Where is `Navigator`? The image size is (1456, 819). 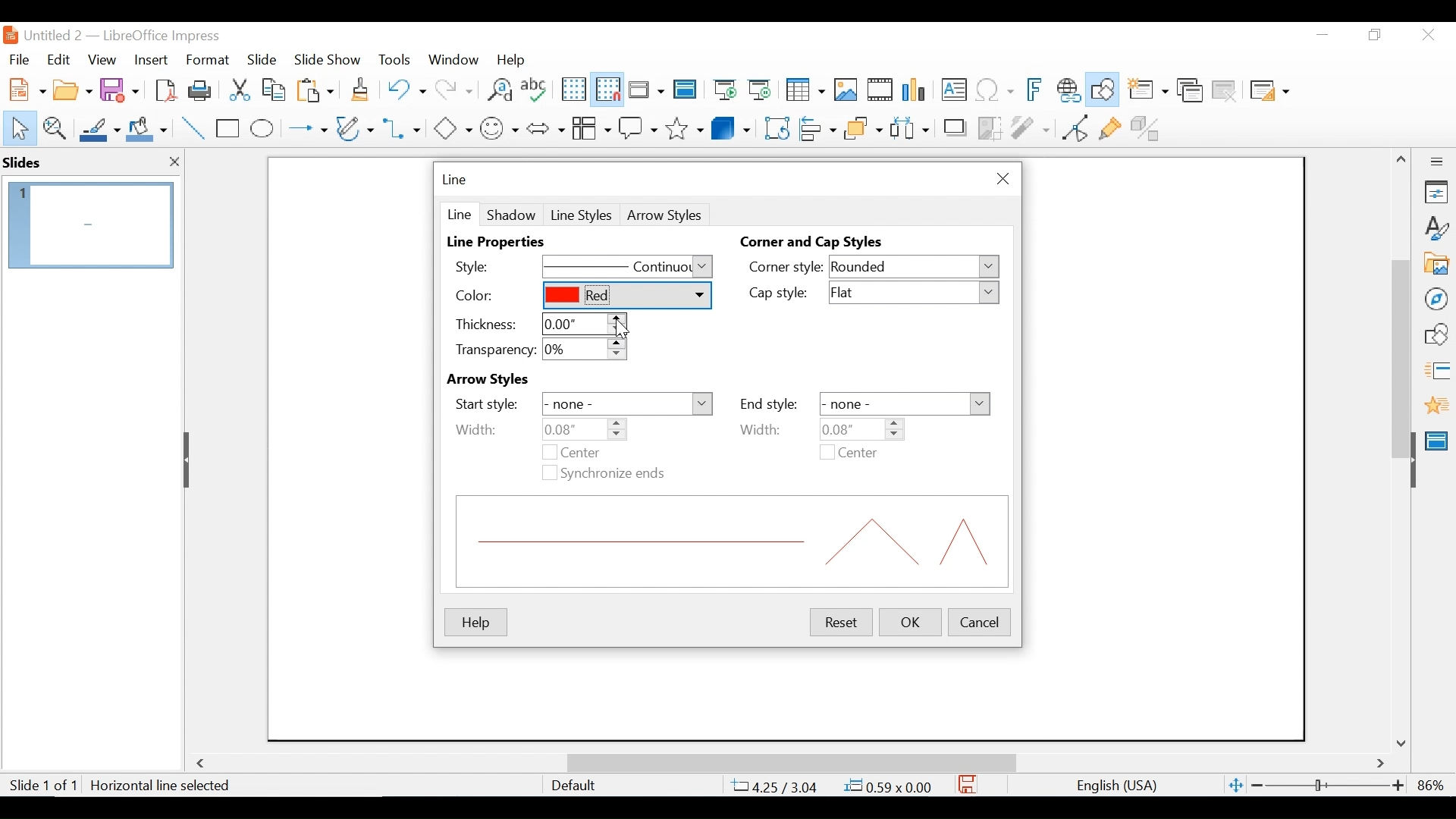
Navigator is located at coordinates (1436, 298).